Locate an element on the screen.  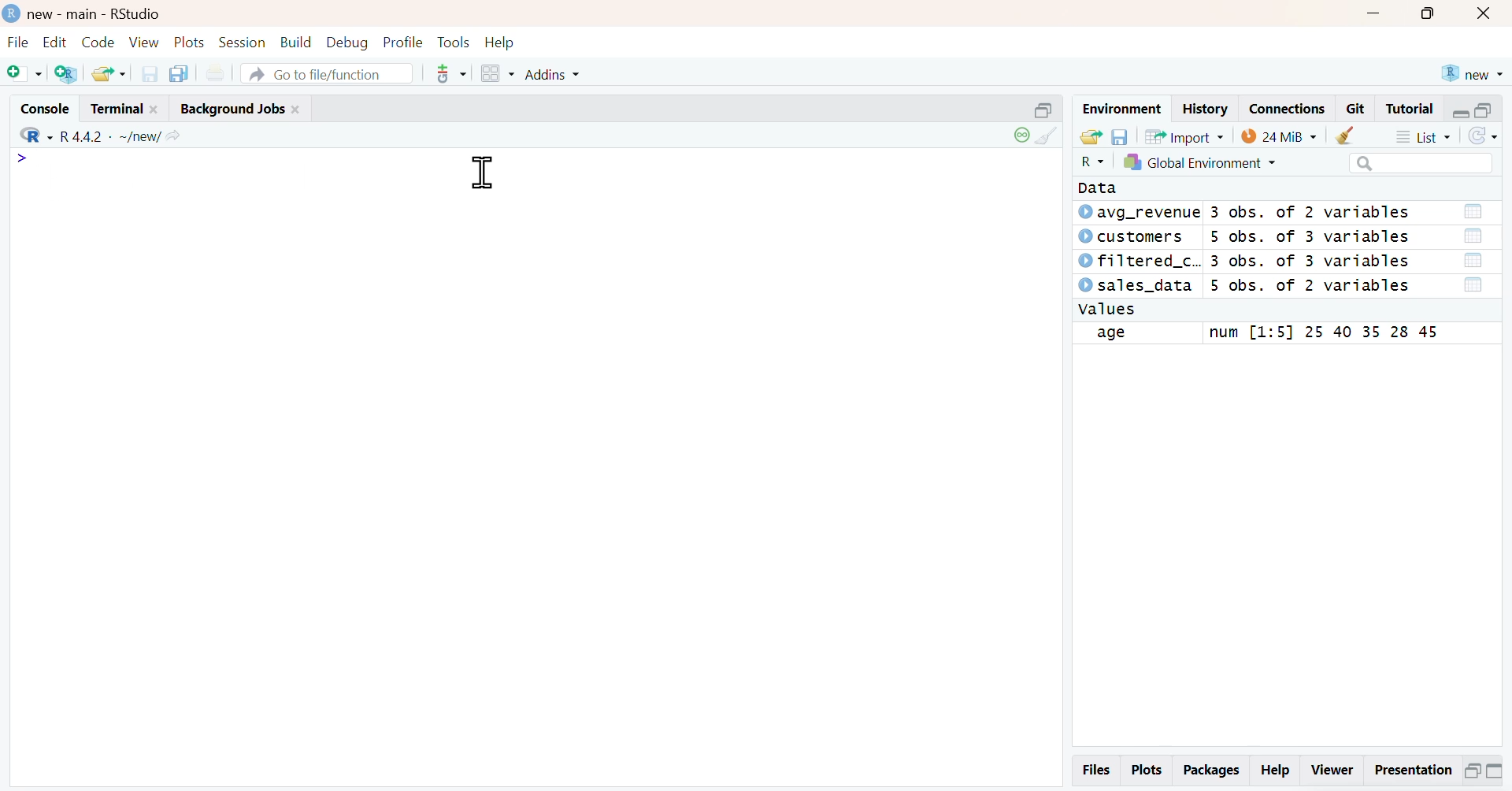
R 4.4.2 . ~/new/ is located at coordinates (121, 136).